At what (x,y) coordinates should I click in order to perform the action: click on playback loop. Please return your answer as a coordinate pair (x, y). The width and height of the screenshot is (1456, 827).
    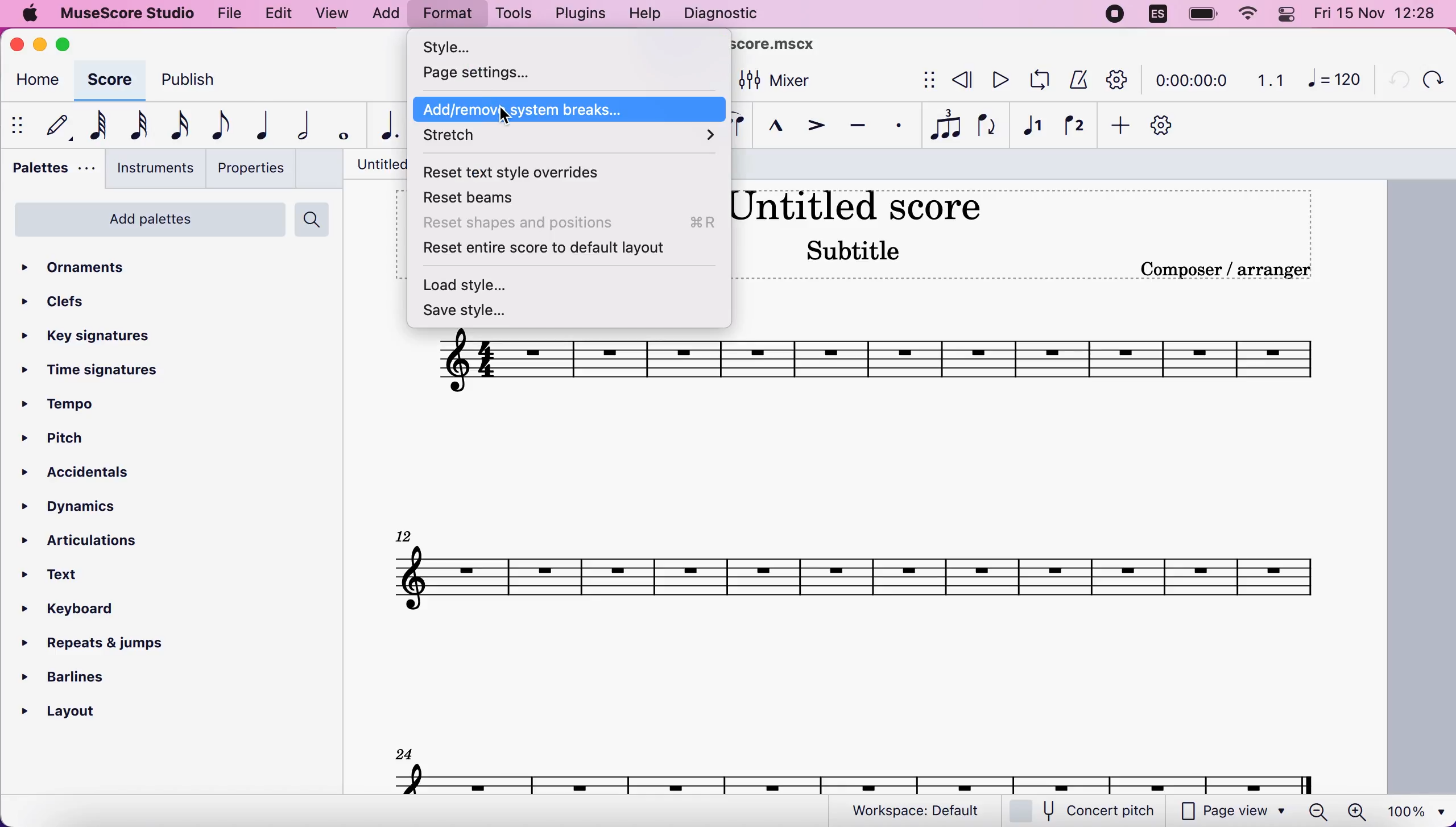
    Looking at the image, I should click on (1036, 80).